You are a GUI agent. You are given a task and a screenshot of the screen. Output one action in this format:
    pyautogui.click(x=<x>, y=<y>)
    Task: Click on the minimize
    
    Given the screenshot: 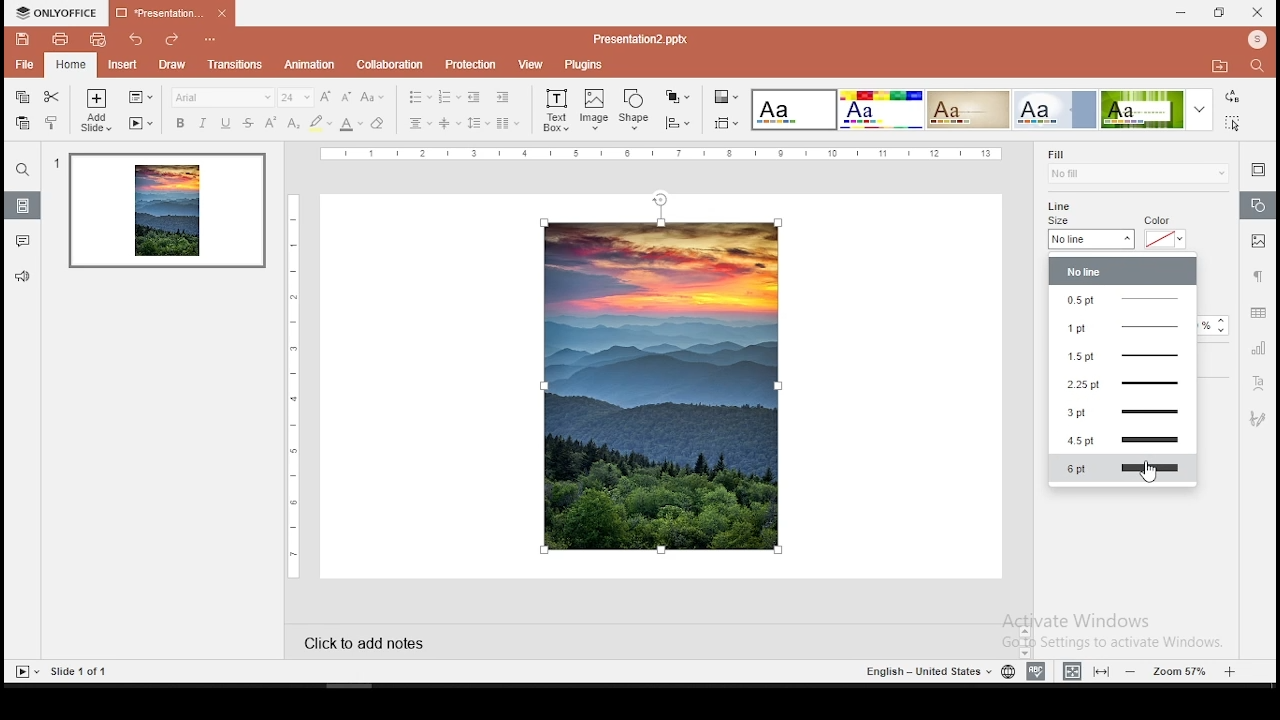 What is the action you would take?
    pyautogui.click(x=1182, y=12)
    